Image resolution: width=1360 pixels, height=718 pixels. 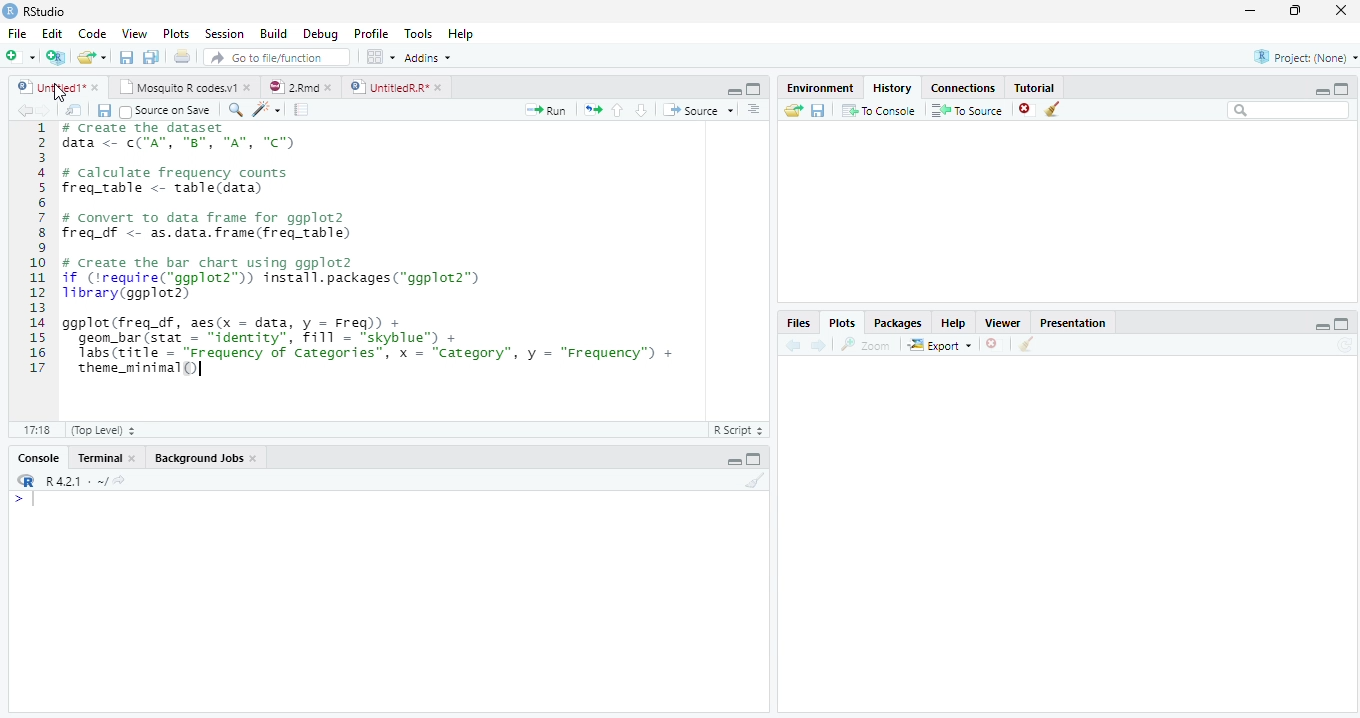 What do you see at coordinates (52, 35) in the screenshot?
I see `Edit` at bounding box center [52, 35].